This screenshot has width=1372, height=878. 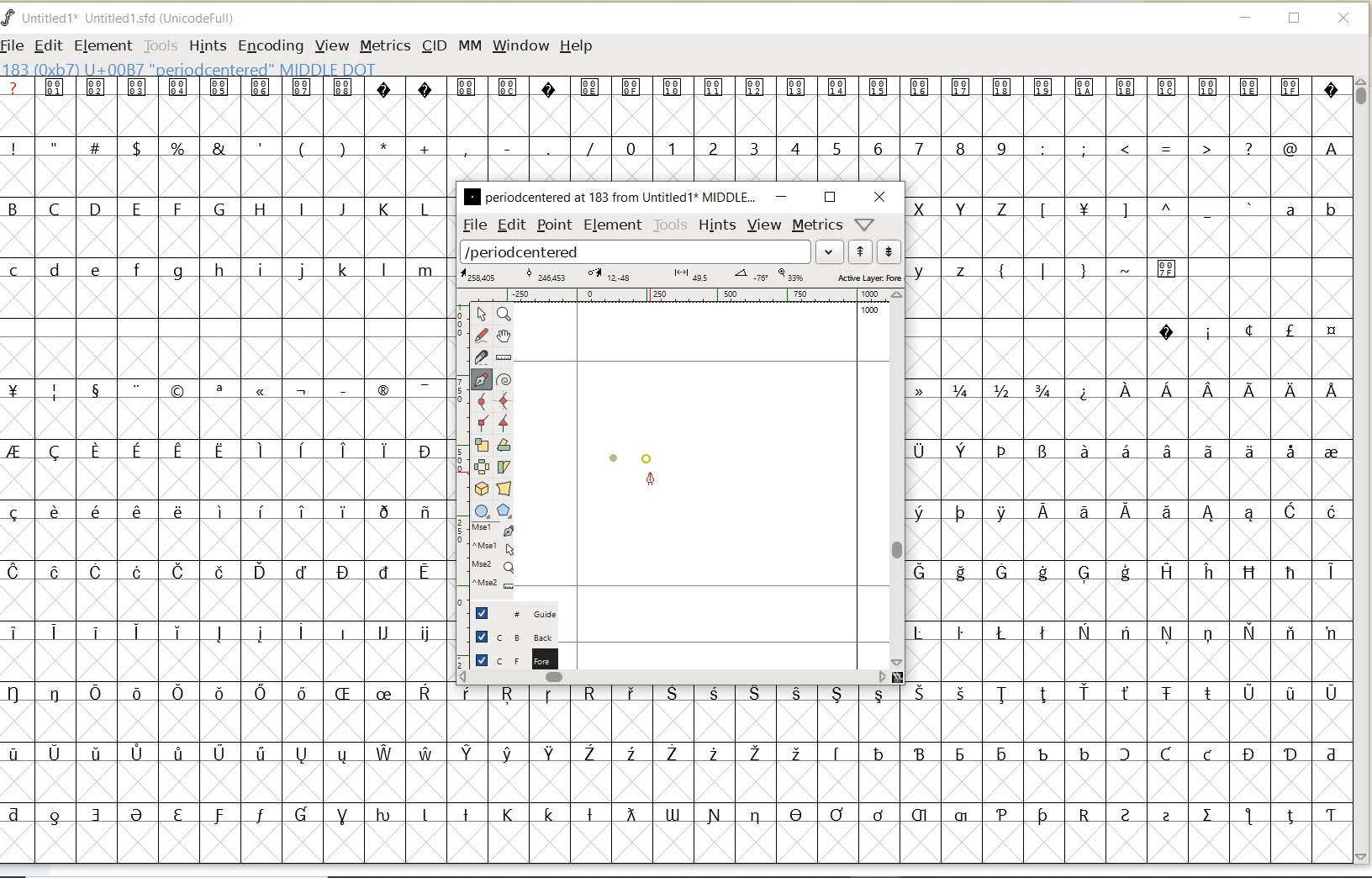 I want to click on scale, so click(x=458, y=443).